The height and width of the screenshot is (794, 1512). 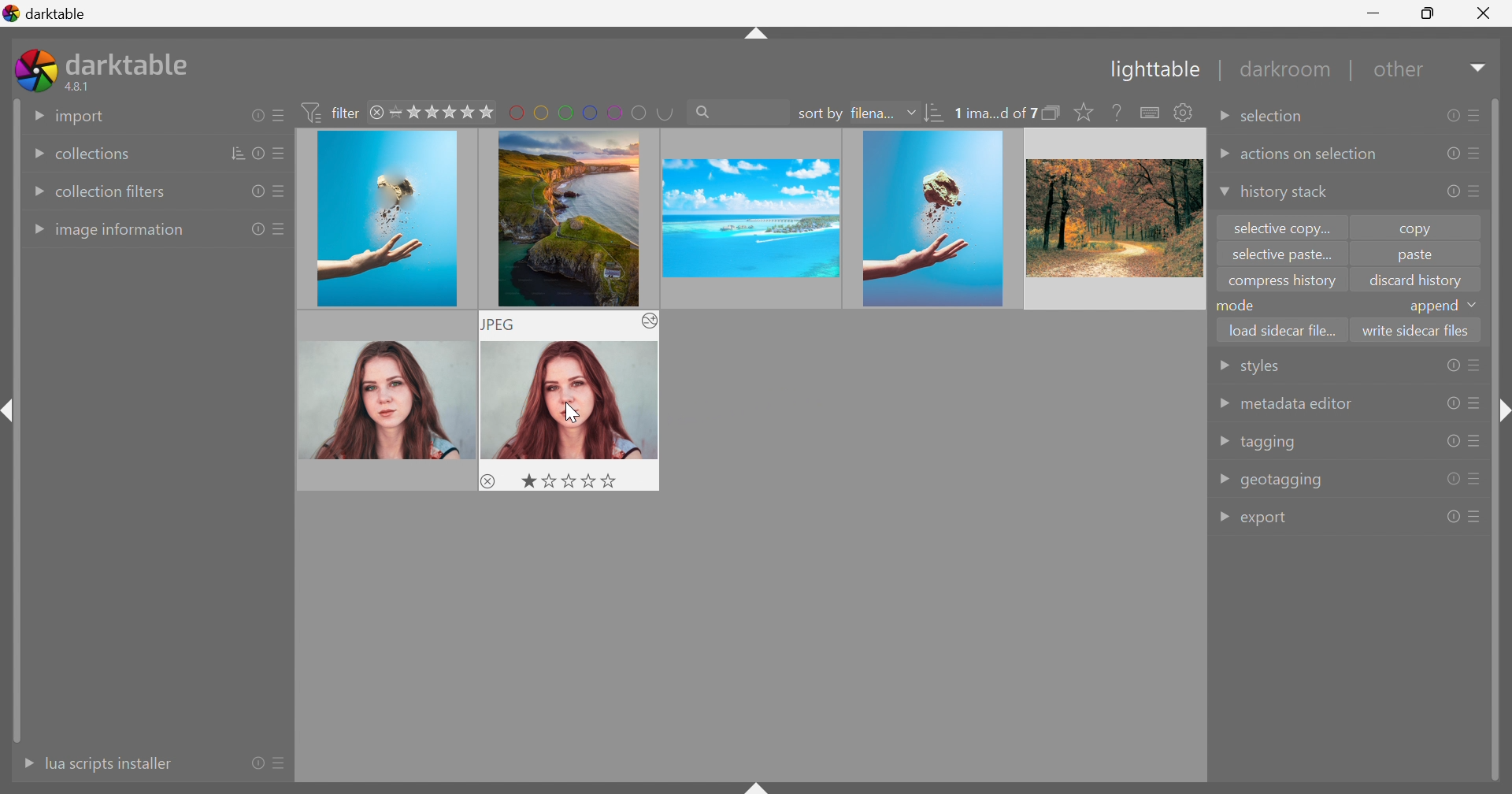 I want to click on Minimize, so click(x=1377, y=12).